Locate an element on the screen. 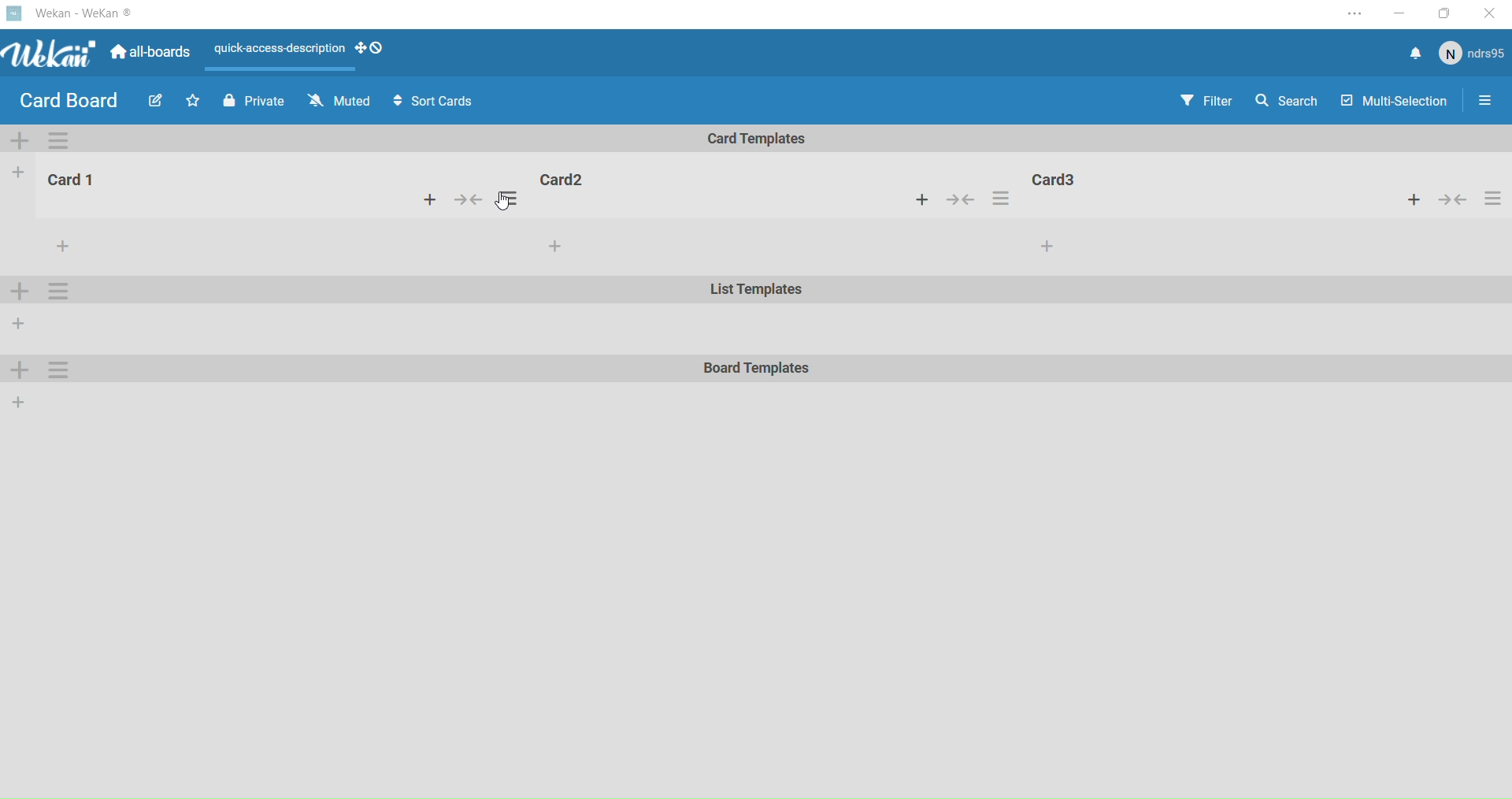 This screenshot has height=799, width=1512. desktop drag handles is located at coordinates (369, 49).